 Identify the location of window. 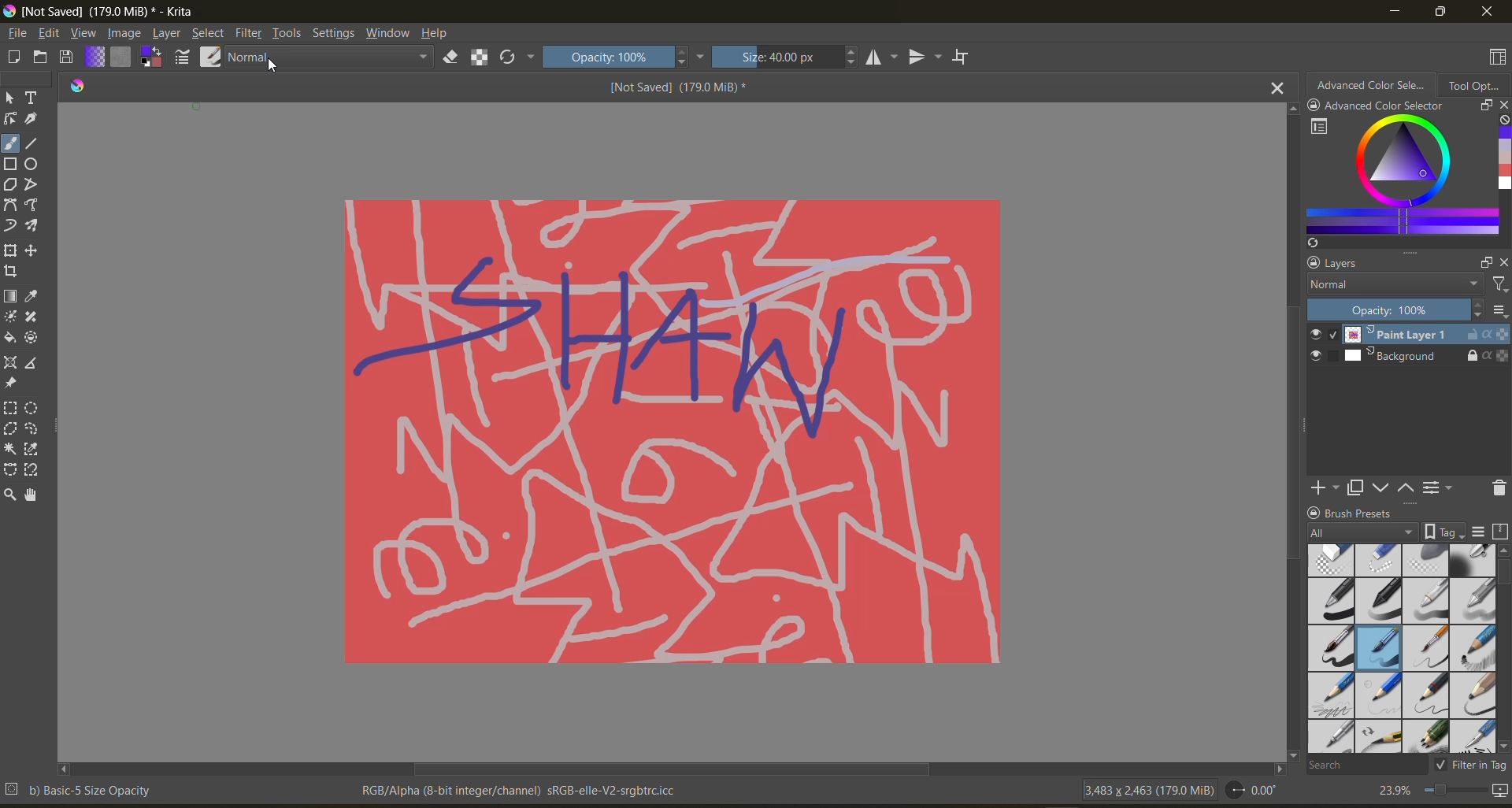
(388, 32).